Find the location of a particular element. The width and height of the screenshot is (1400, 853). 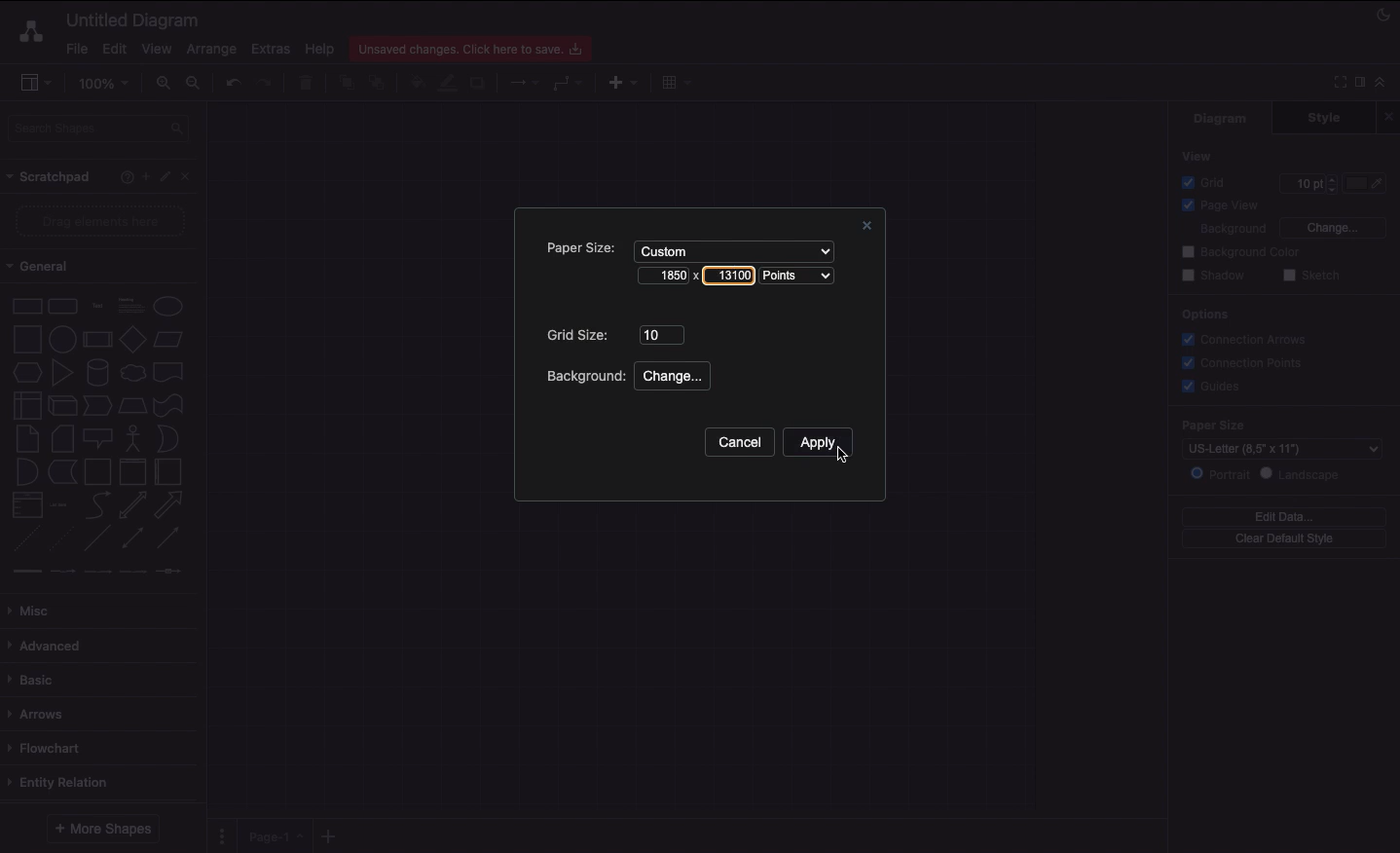

Paper size is located at coordinates (1264, 425).